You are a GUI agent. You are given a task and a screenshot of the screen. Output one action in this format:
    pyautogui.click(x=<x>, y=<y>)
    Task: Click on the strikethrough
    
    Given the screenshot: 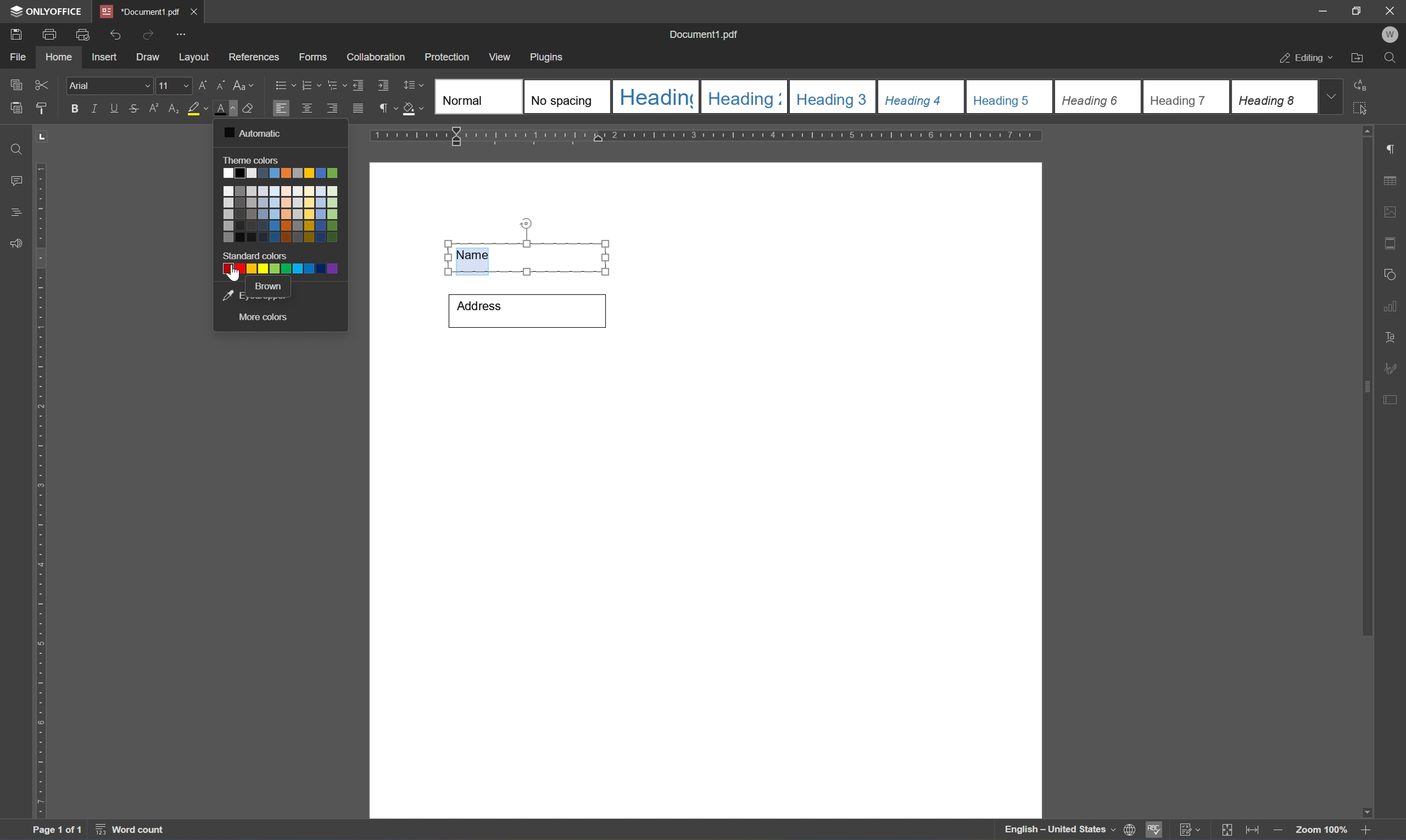 What is the action you would take?
    pyautogui.click(x=133, y=108)
    